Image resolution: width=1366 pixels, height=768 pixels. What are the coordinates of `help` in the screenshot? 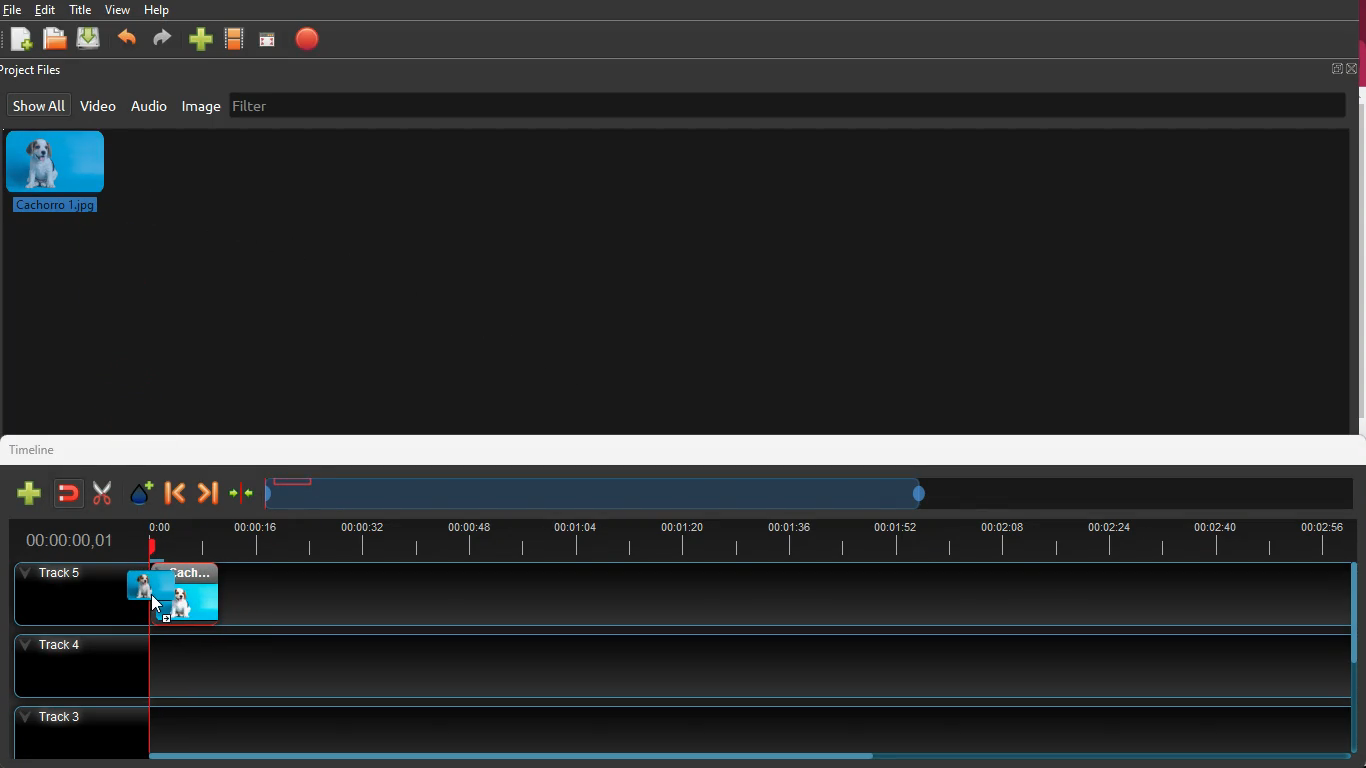 It's located at (158, 12).